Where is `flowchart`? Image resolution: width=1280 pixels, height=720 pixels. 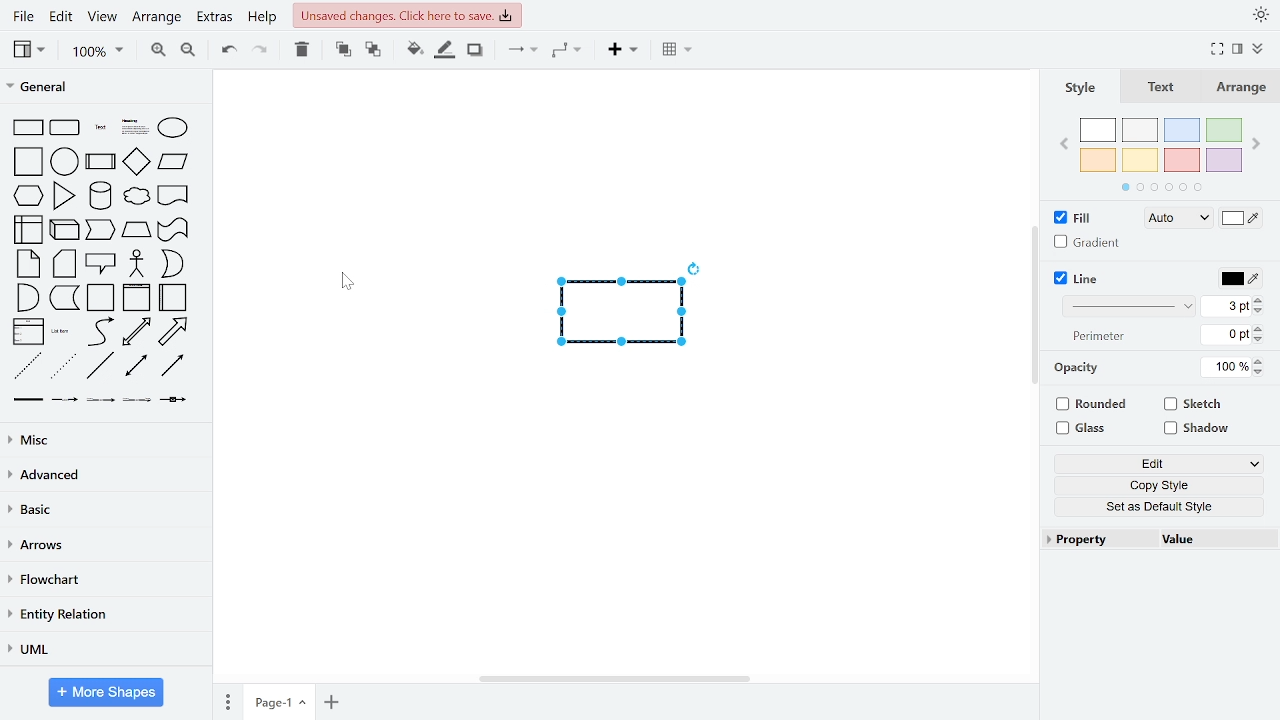 flowchart is located at coordinates (105, 580).